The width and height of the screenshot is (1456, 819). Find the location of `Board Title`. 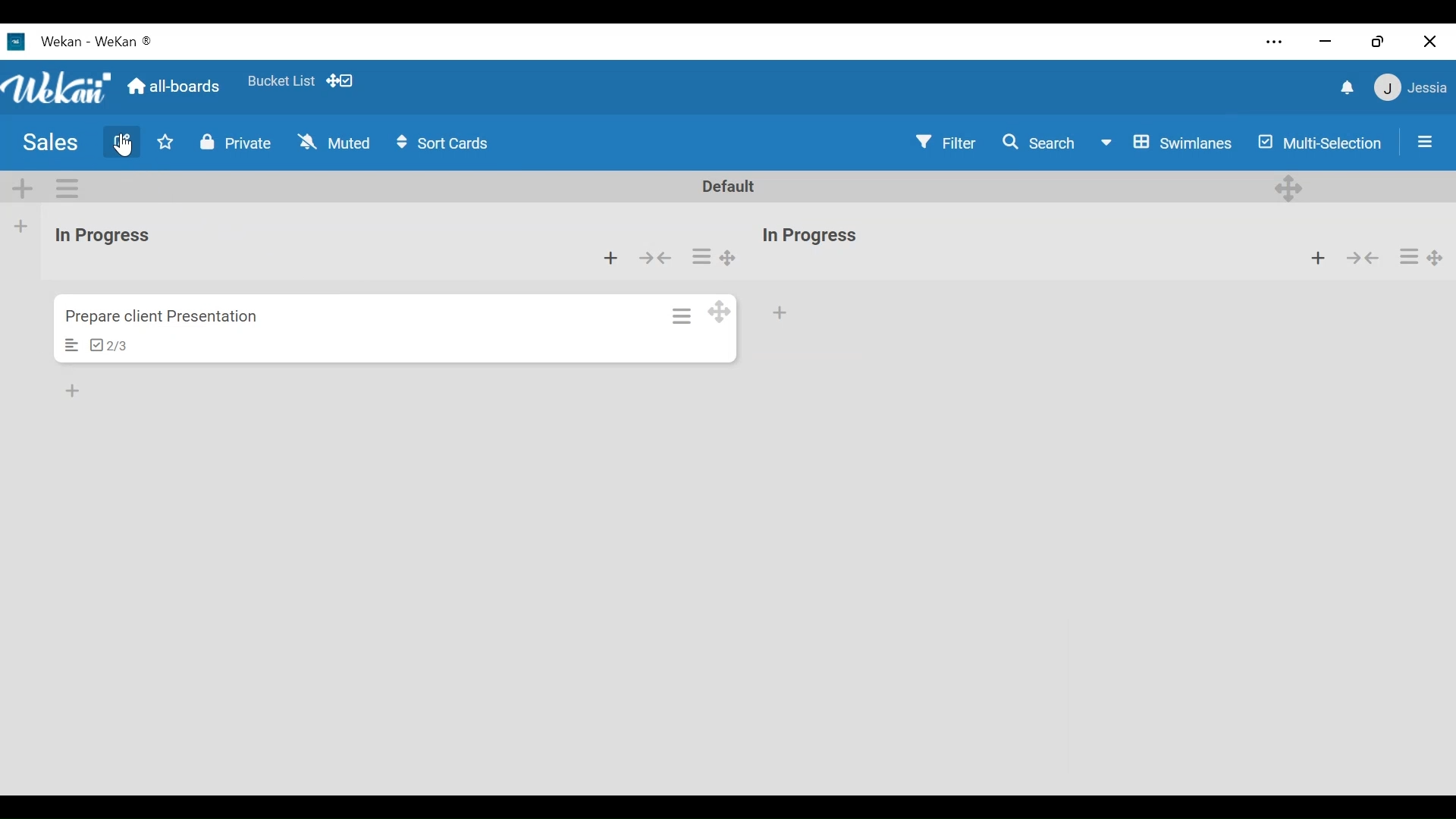

Board Title is located at coordinates (49, 144).